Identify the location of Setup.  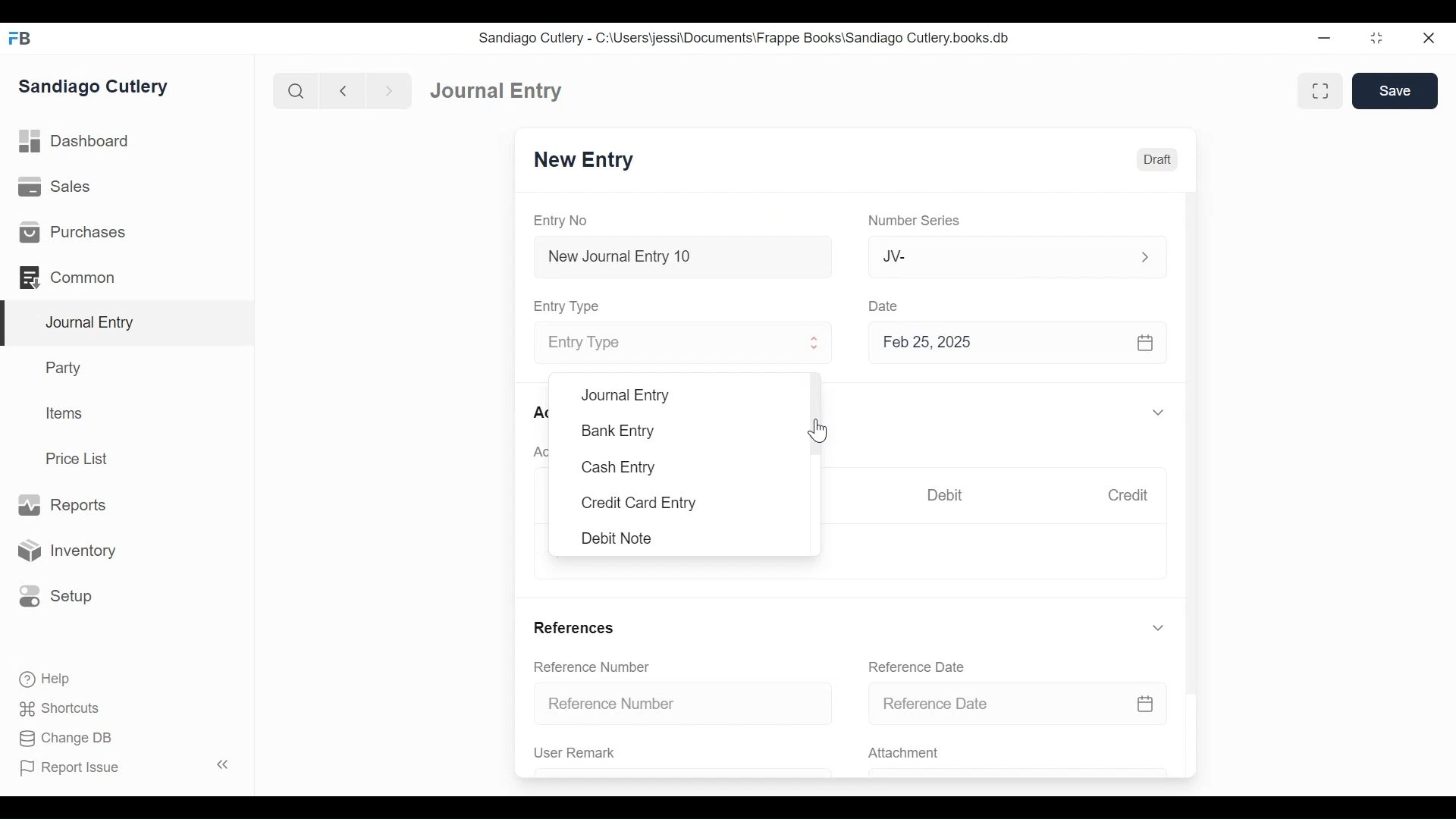
(56, 595).